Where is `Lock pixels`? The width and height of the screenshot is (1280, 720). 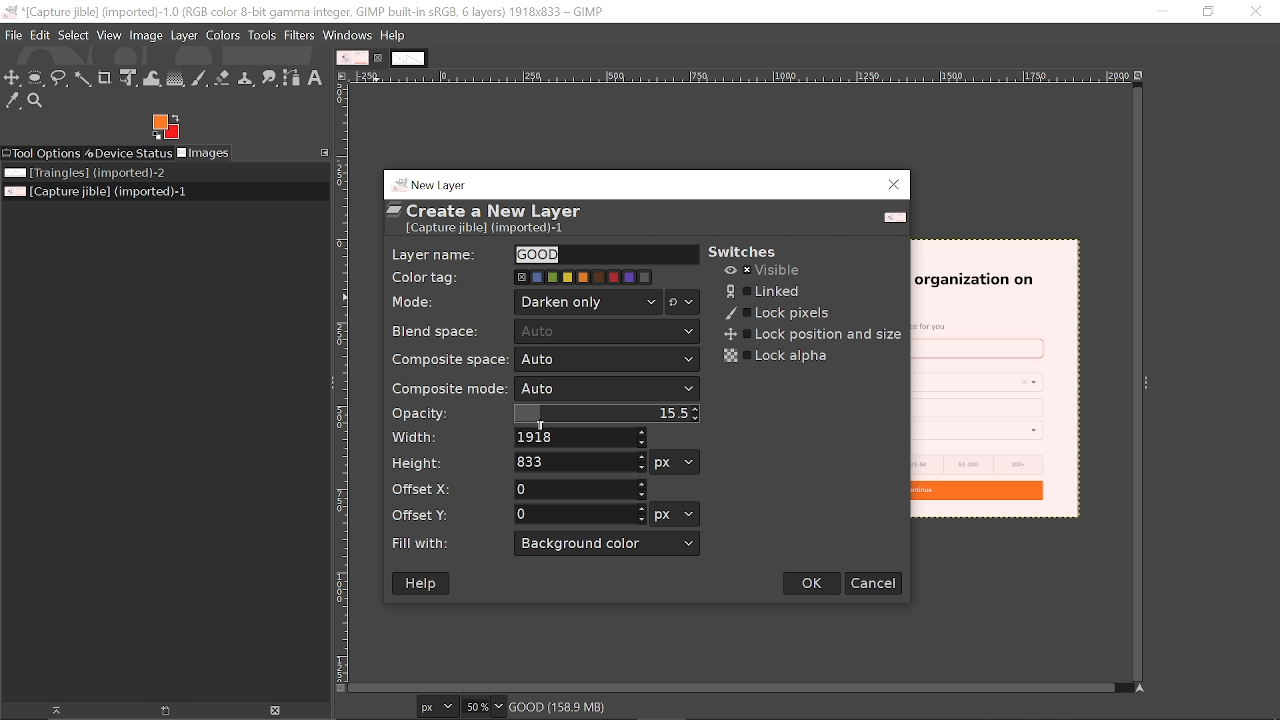 Lock pixels is located at coordinates (778, 314).